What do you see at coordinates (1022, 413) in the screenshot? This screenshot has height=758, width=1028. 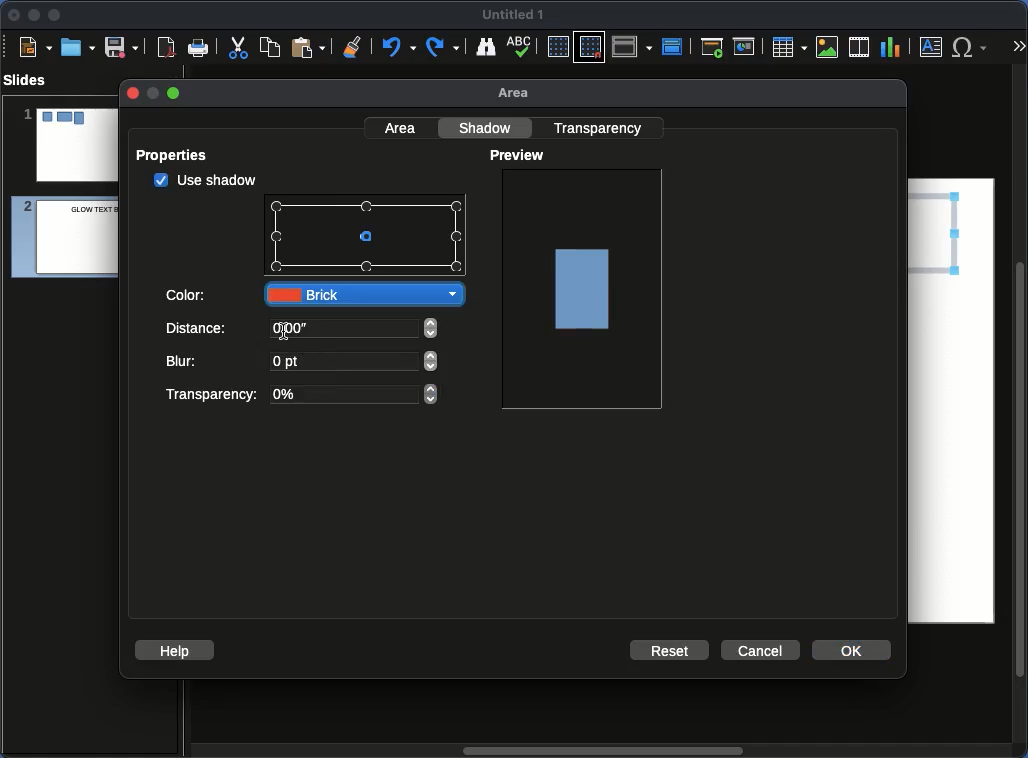 I see `Scroll` at bounding box center [1022, 413].